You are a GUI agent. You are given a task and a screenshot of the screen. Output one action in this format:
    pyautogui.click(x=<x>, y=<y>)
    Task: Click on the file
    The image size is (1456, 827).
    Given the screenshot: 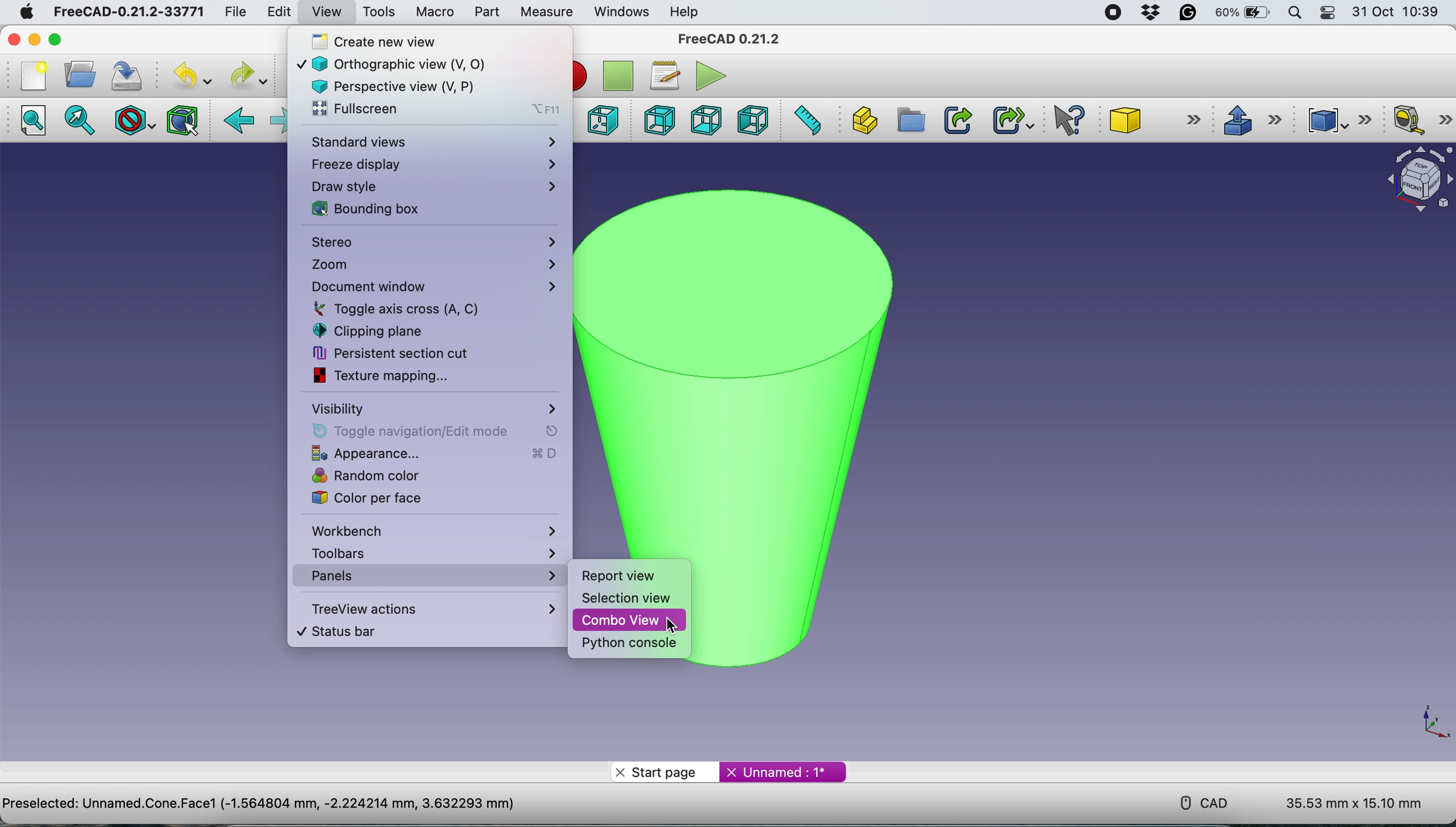 What is the action you would take?
    pyautogui.click(x=231, y=11)
    